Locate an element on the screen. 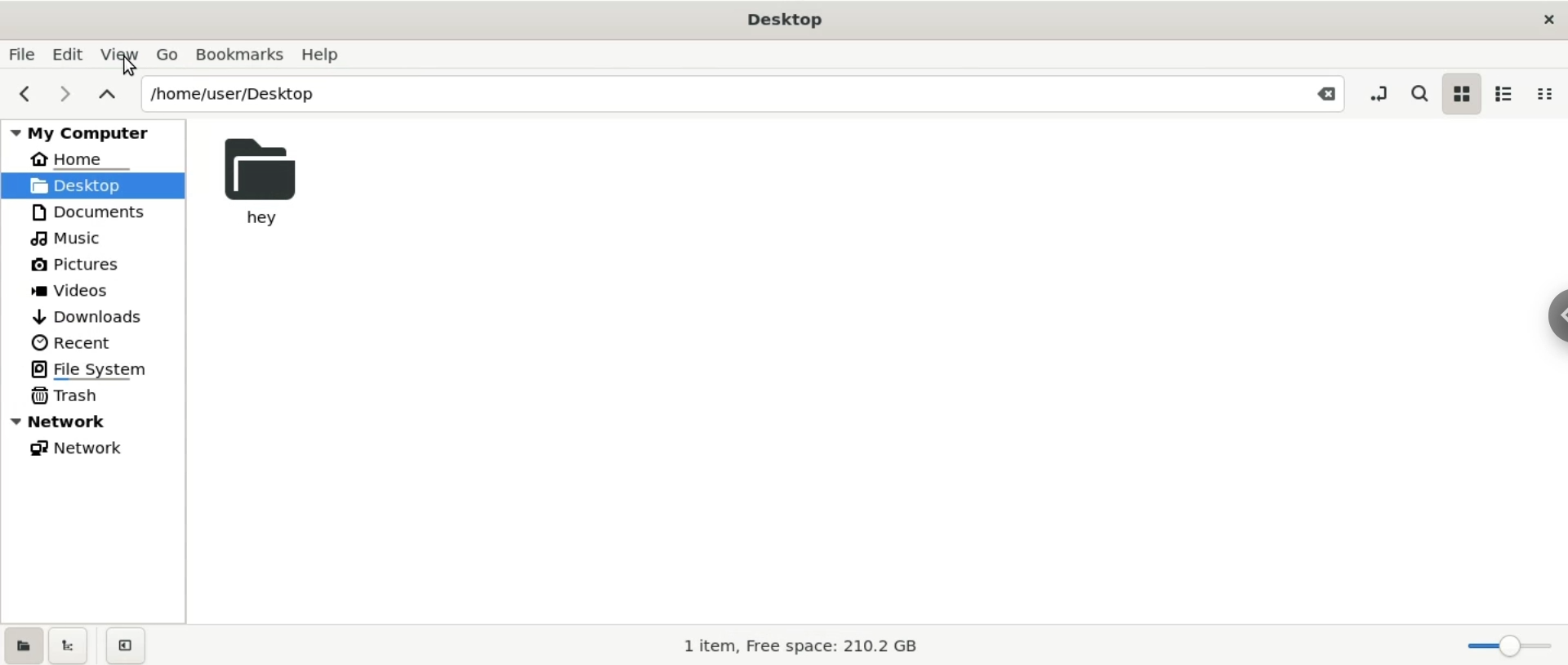  Trash is located at coordinates (71, 399).